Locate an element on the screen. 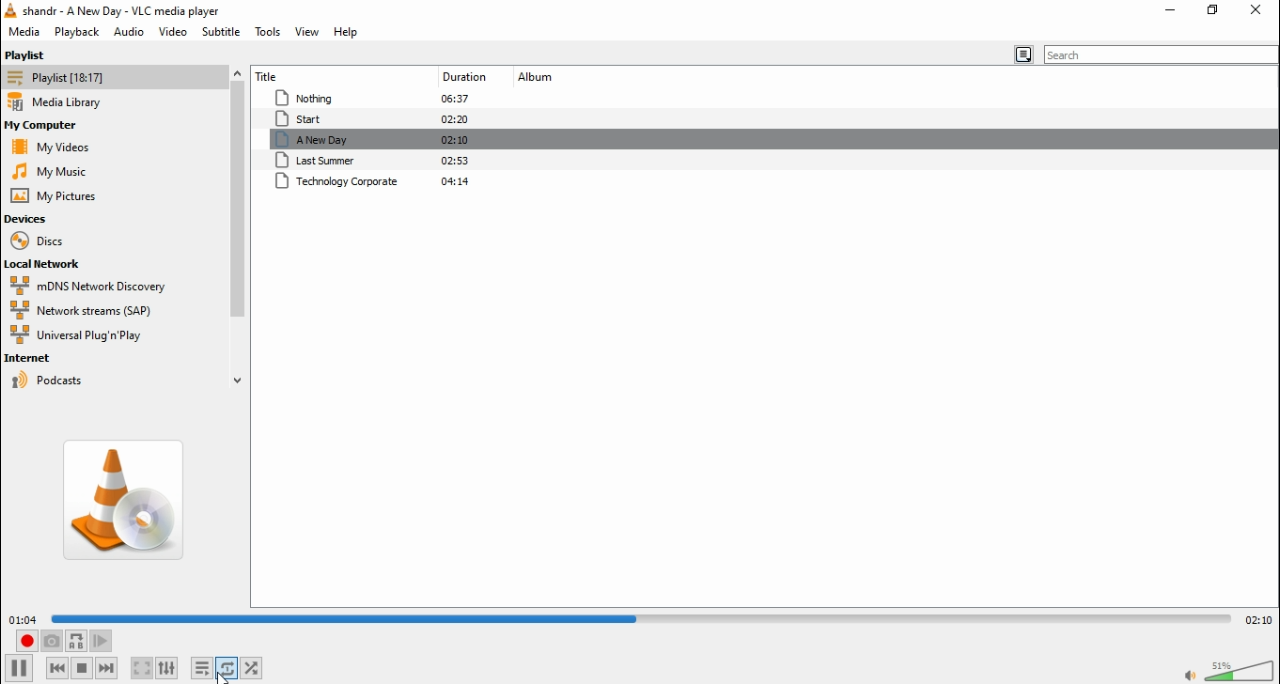 This screenshot has height=684, width=1280. toggle playlist view is located at coordinates (1025, 54).